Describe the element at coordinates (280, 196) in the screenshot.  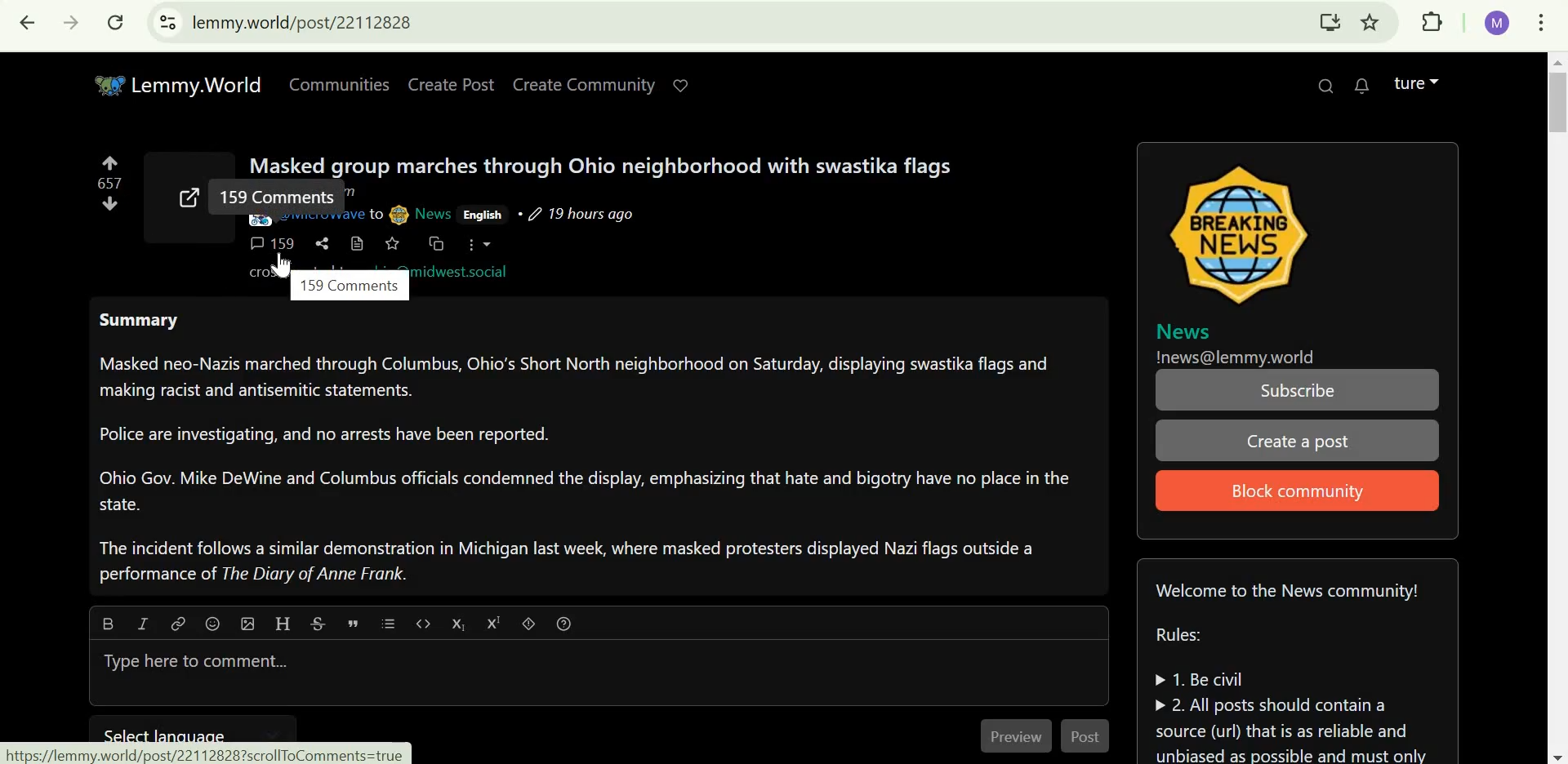
I see `159 comments` at that location.